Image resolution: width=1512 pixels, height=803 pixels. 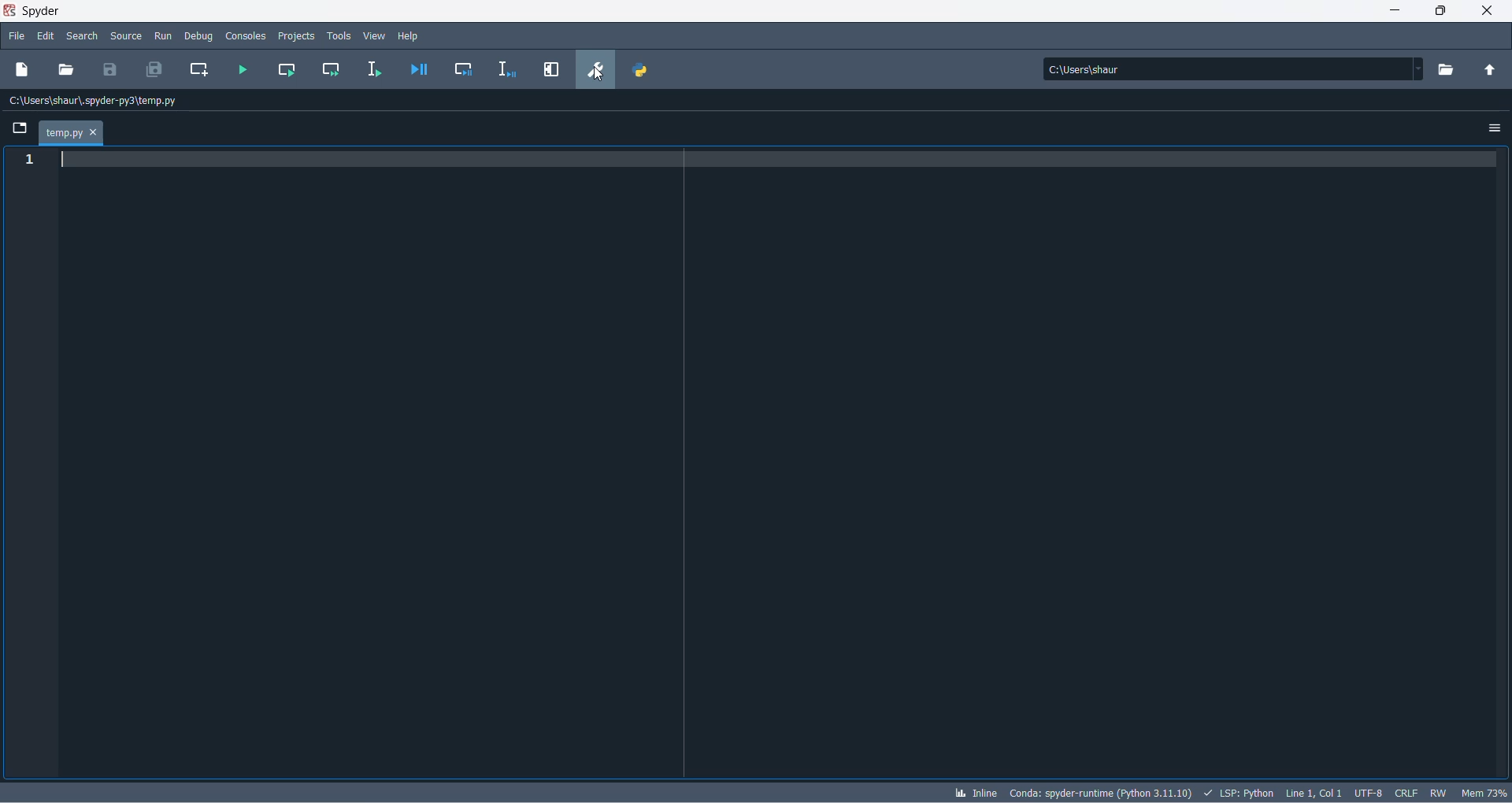 I want to click on source, so click(x=124, y=36).